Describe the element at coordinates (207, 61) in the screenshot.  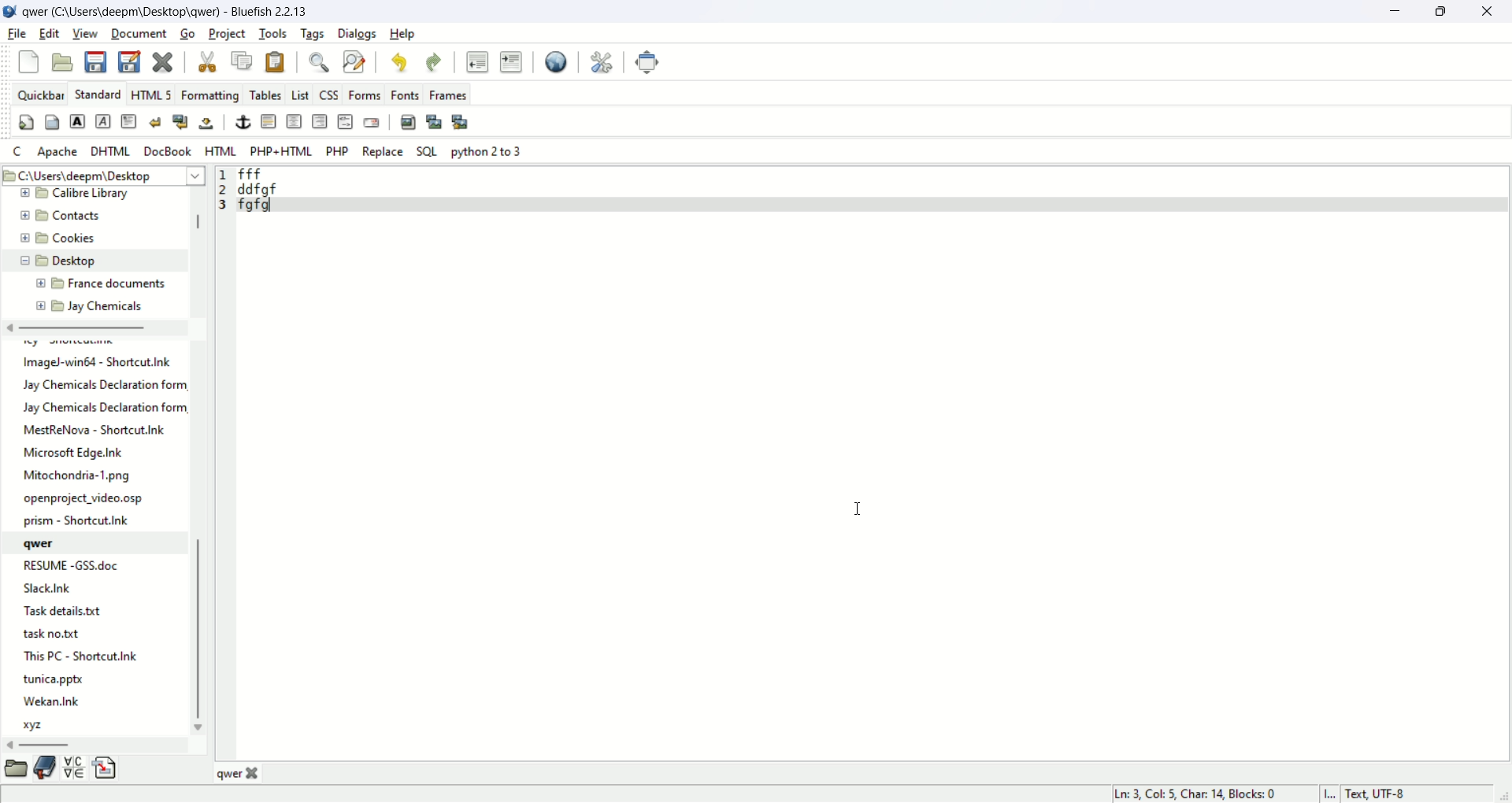
I see `cut` at that location.